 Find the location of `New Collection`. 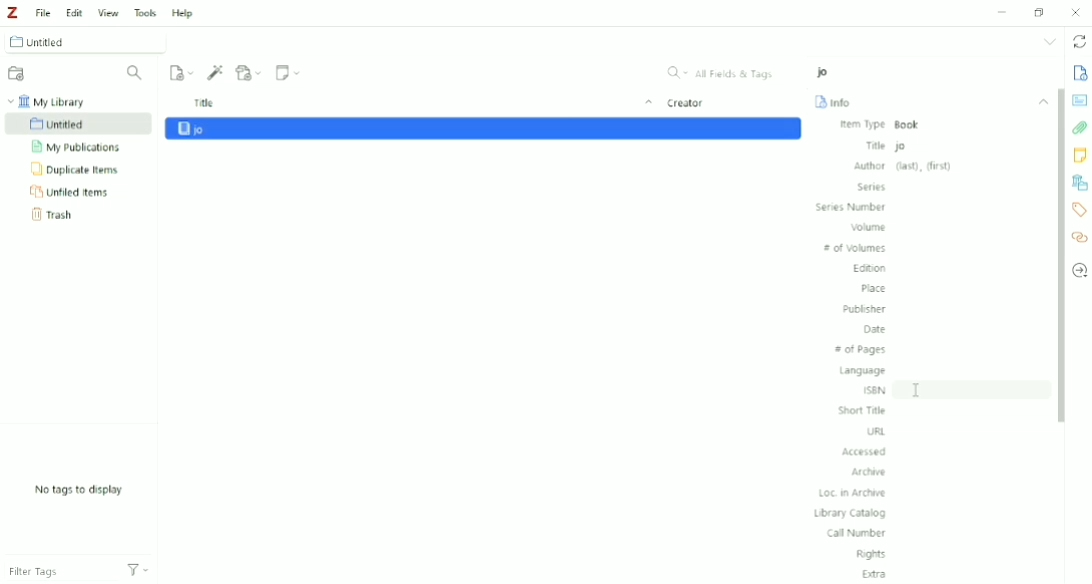

New Collection is located at coordinates (18, 73).